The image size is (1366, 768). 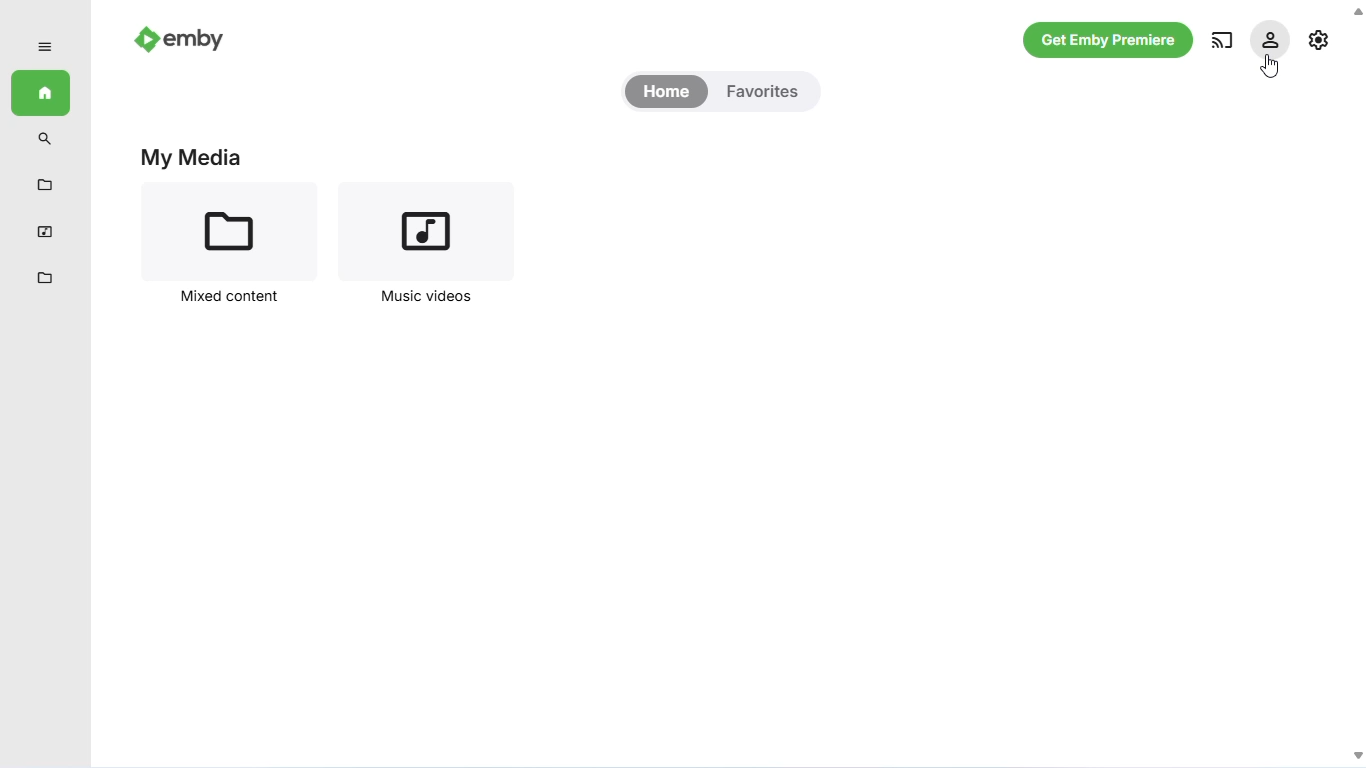 What do you see at coordinates (40, 93) in the screenshot?
I see `home` at bounding box center [40, 93].